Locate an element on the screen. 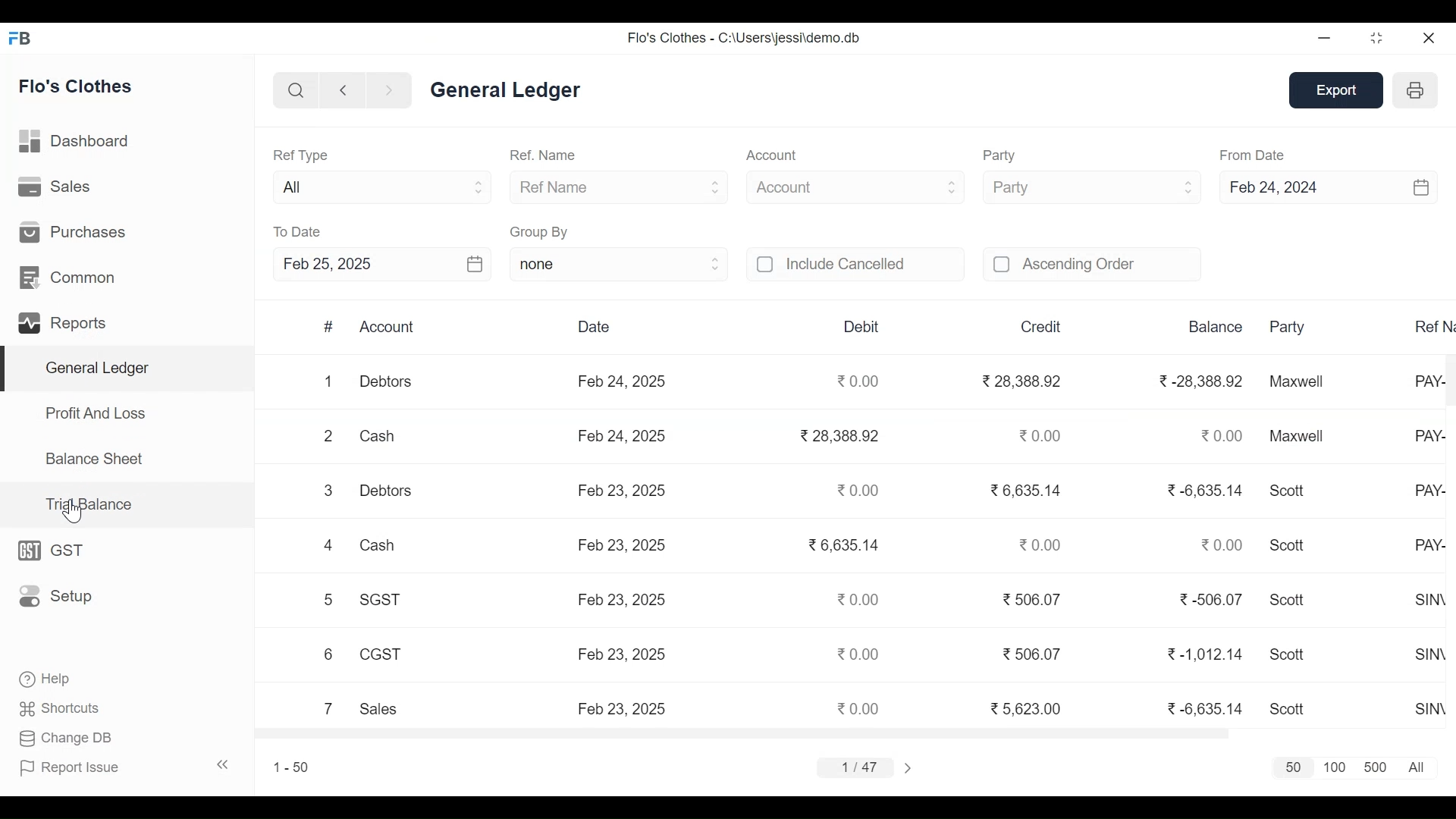 The image size is (1456, 819). Feb 23, 2025 is located at coordinates (623, 654).